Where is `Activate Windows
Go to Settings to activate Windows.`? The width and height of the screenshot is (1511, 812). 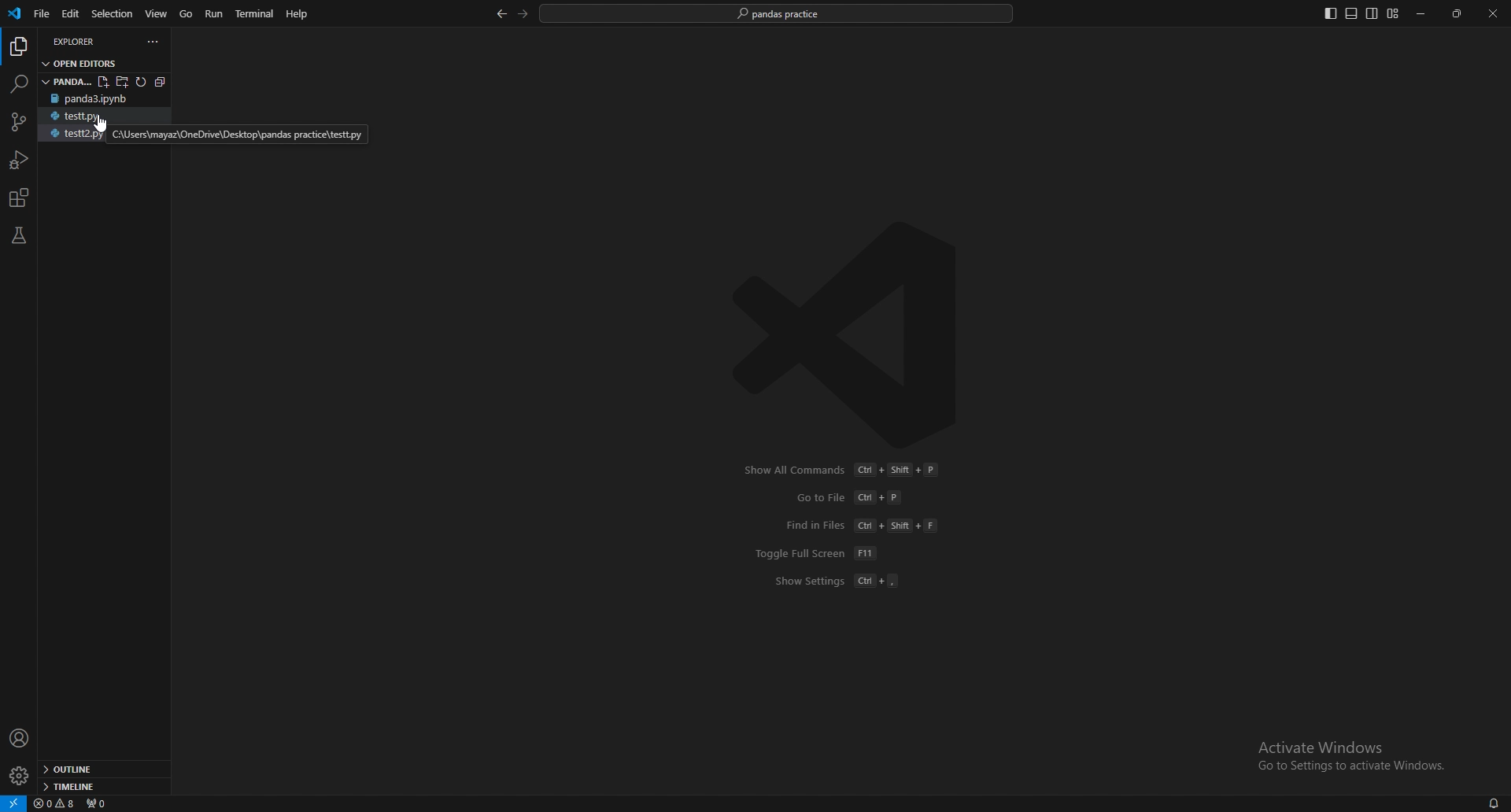 Activate Windows
Go to Settings to activate Windows. is located at coordinates (1346, 755).